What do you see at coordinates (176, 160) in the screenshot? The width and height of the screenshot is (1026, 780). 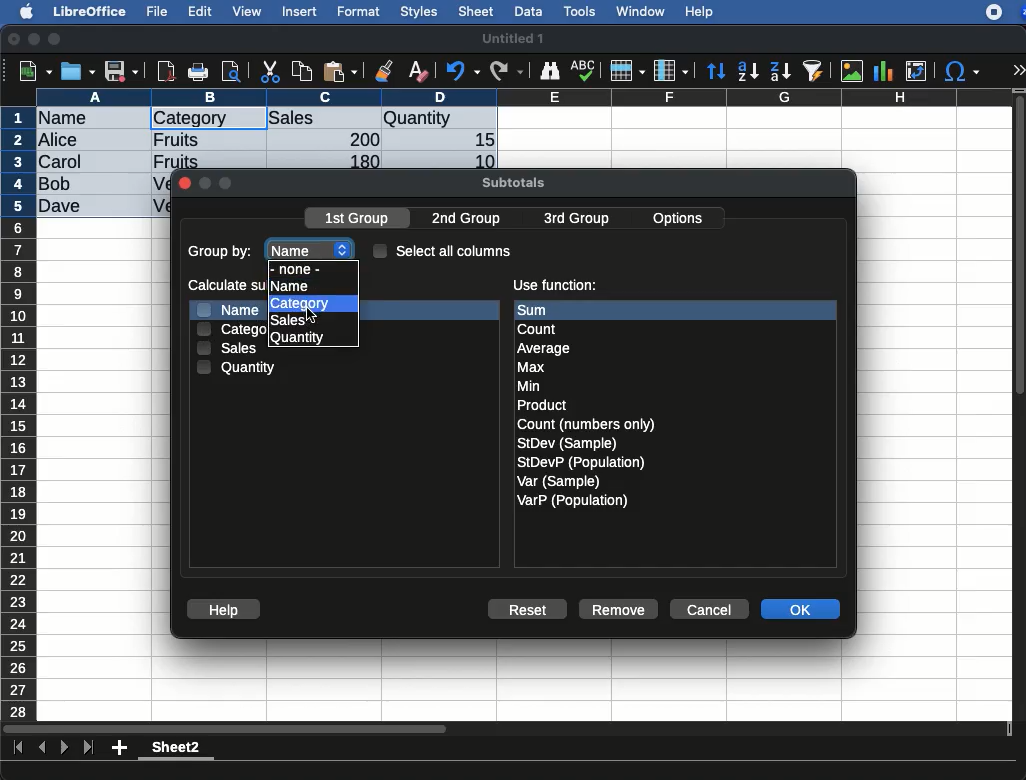 I see `Fruits` at bounding box center [176, 160].